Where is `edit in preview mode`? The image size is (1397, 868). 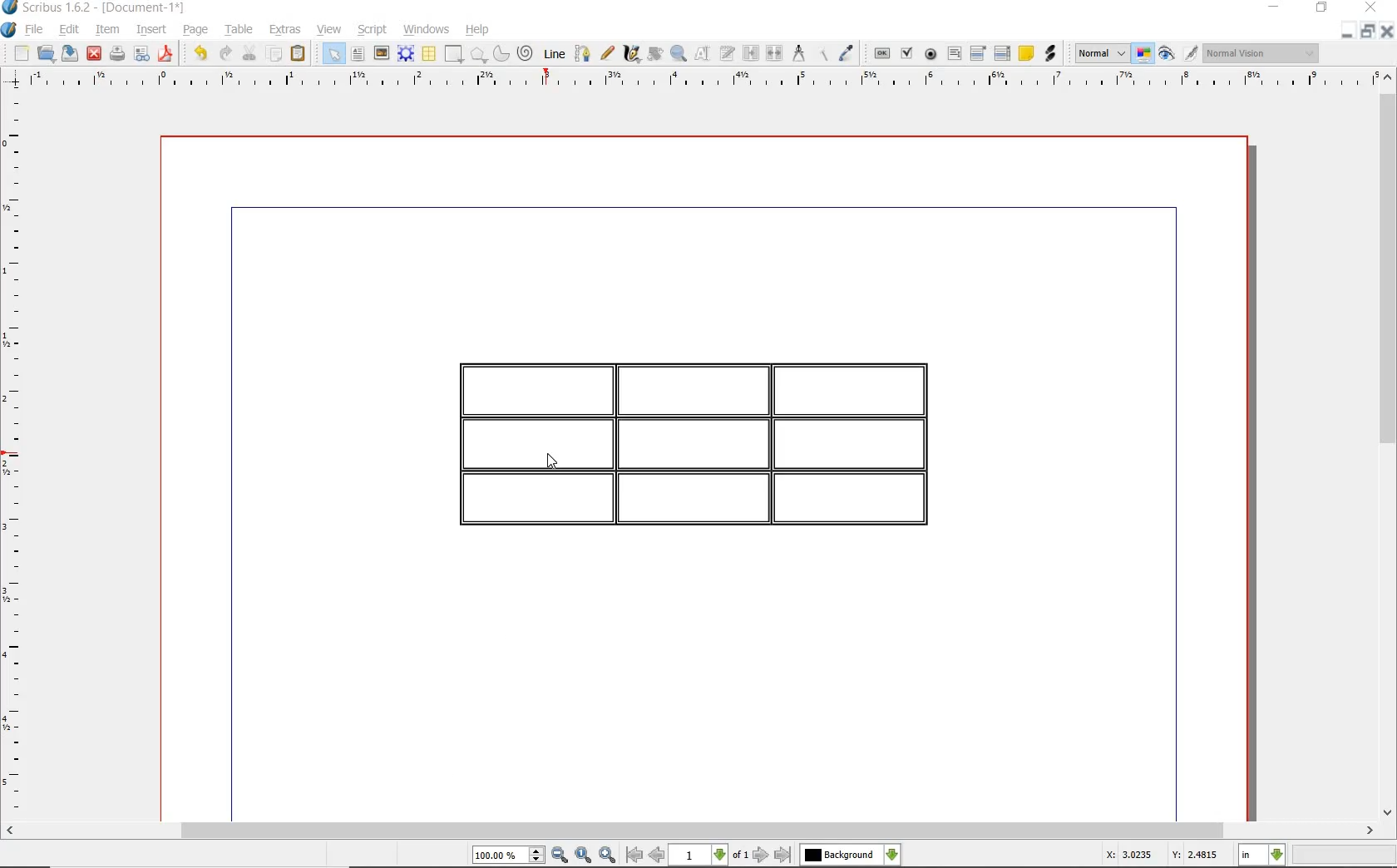
edit in preview mode is located at coordinates (1190, 54).